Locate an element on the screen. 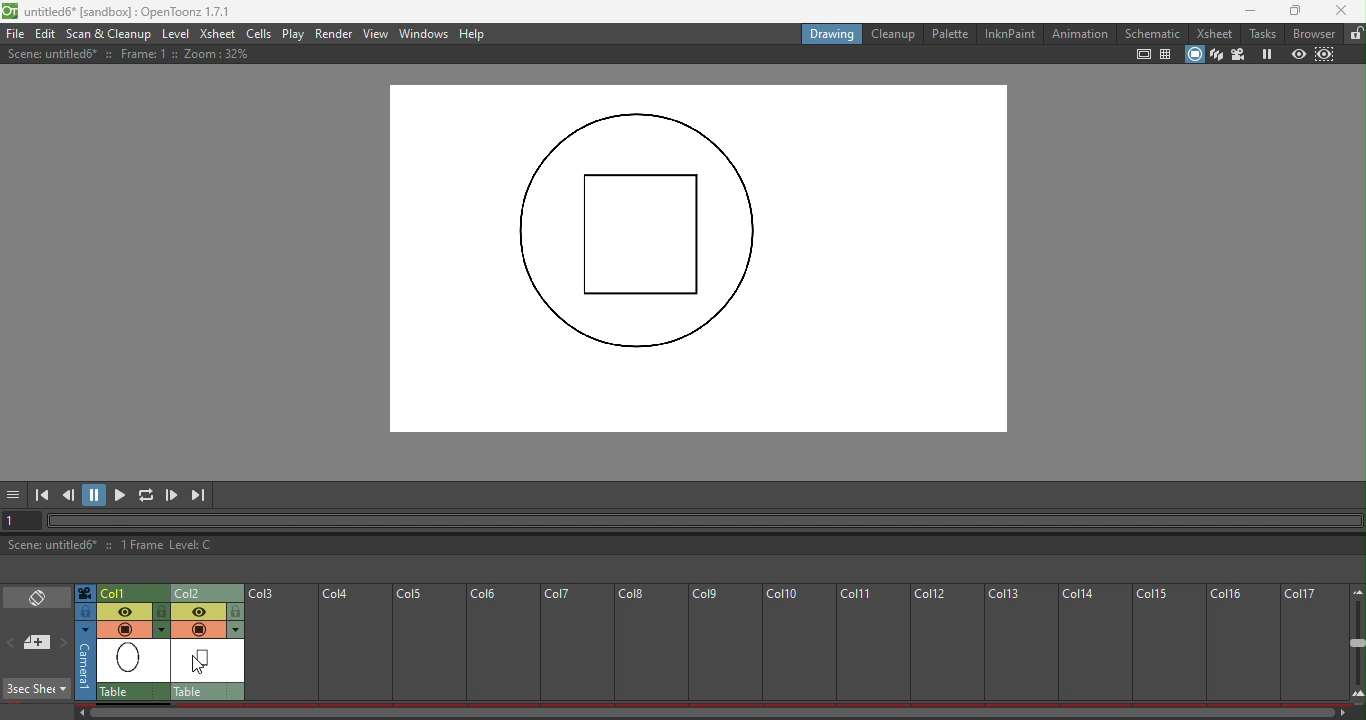 This screenshot has height=720, width=1366. Cleanup is located at coordinates (892, 33).